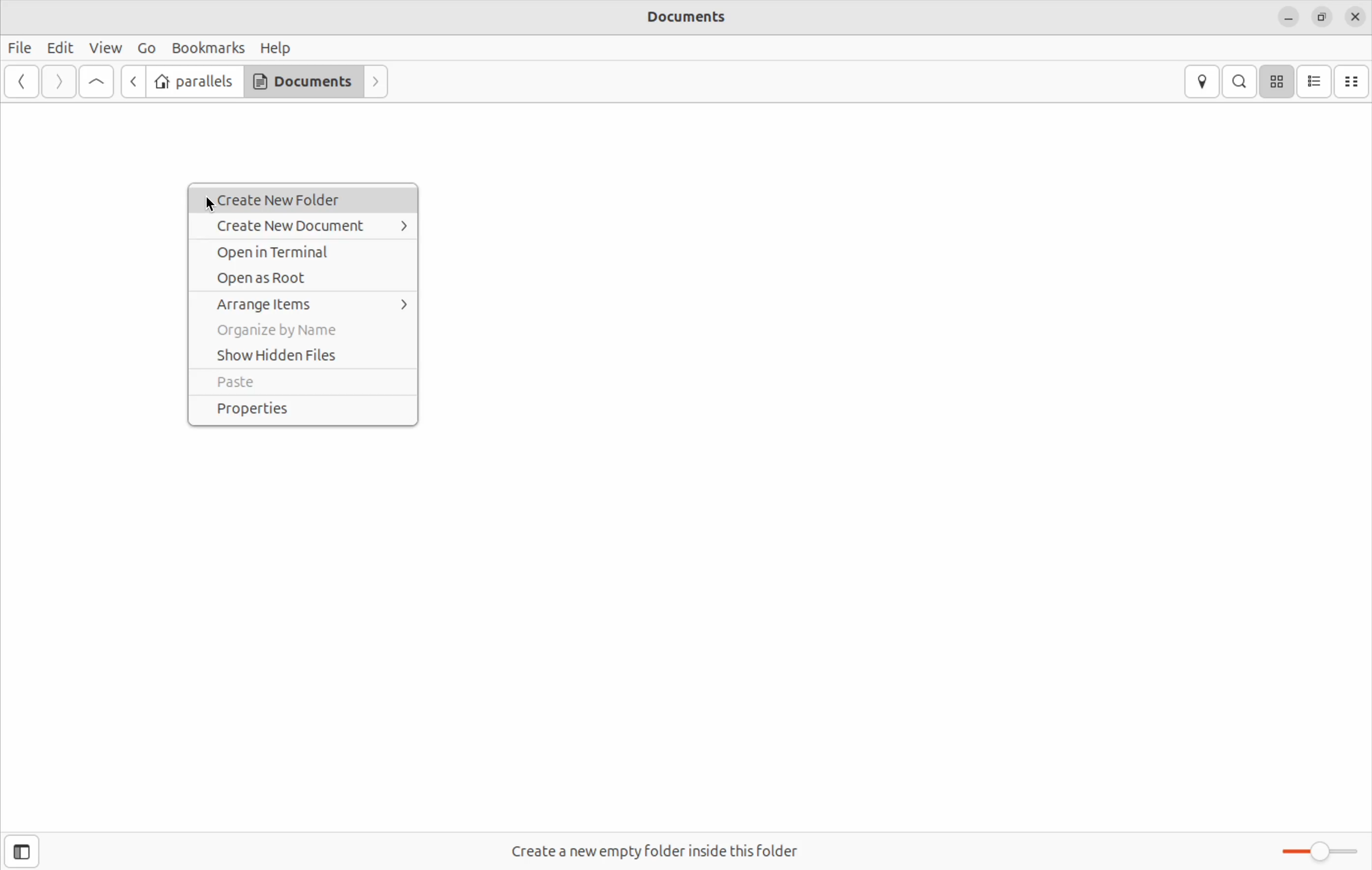  I want to click on Create New Document, so click(302, 227).